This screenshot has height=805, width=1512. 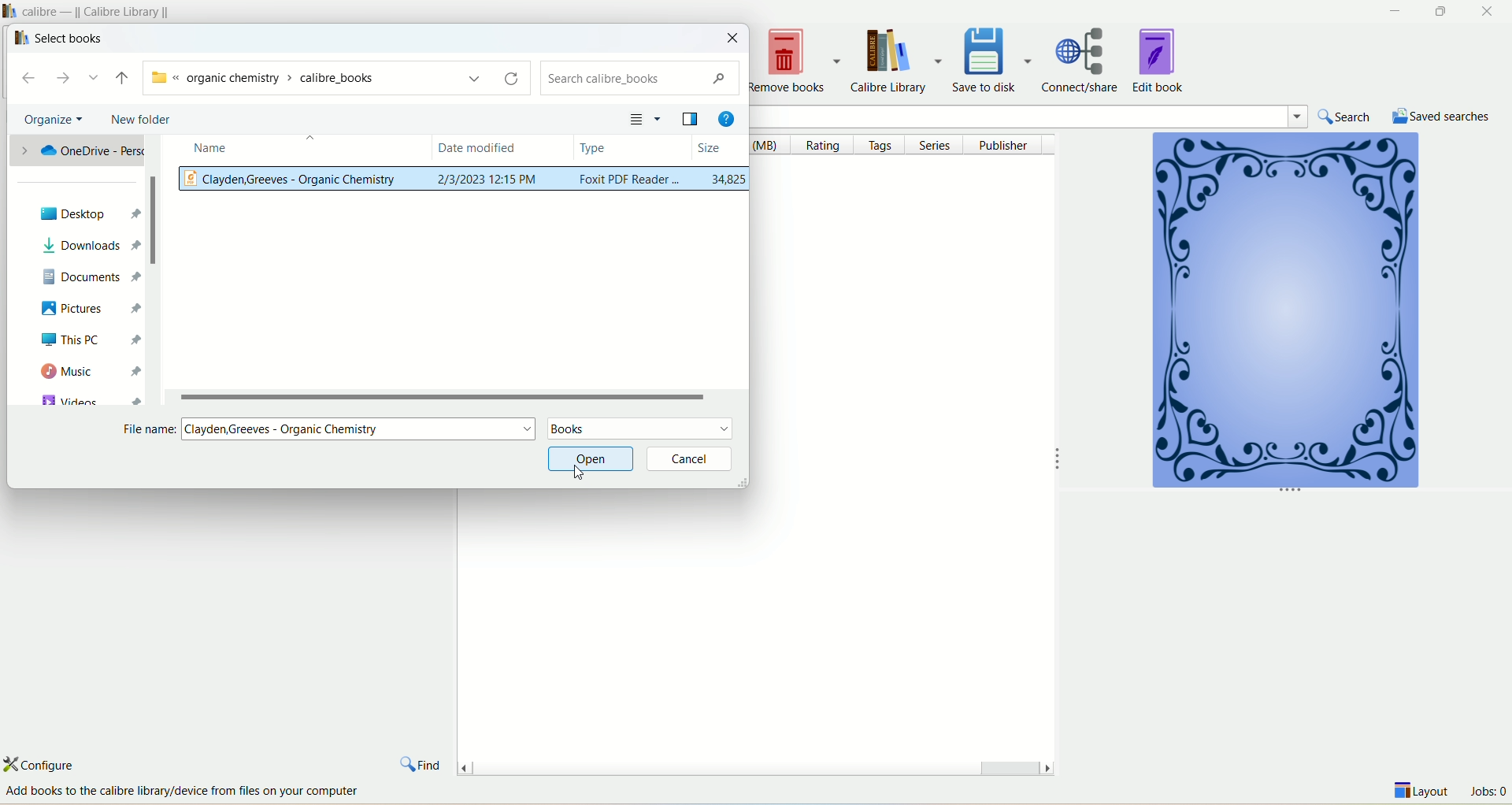 I want to click on tags, so click(x=883, y=146).